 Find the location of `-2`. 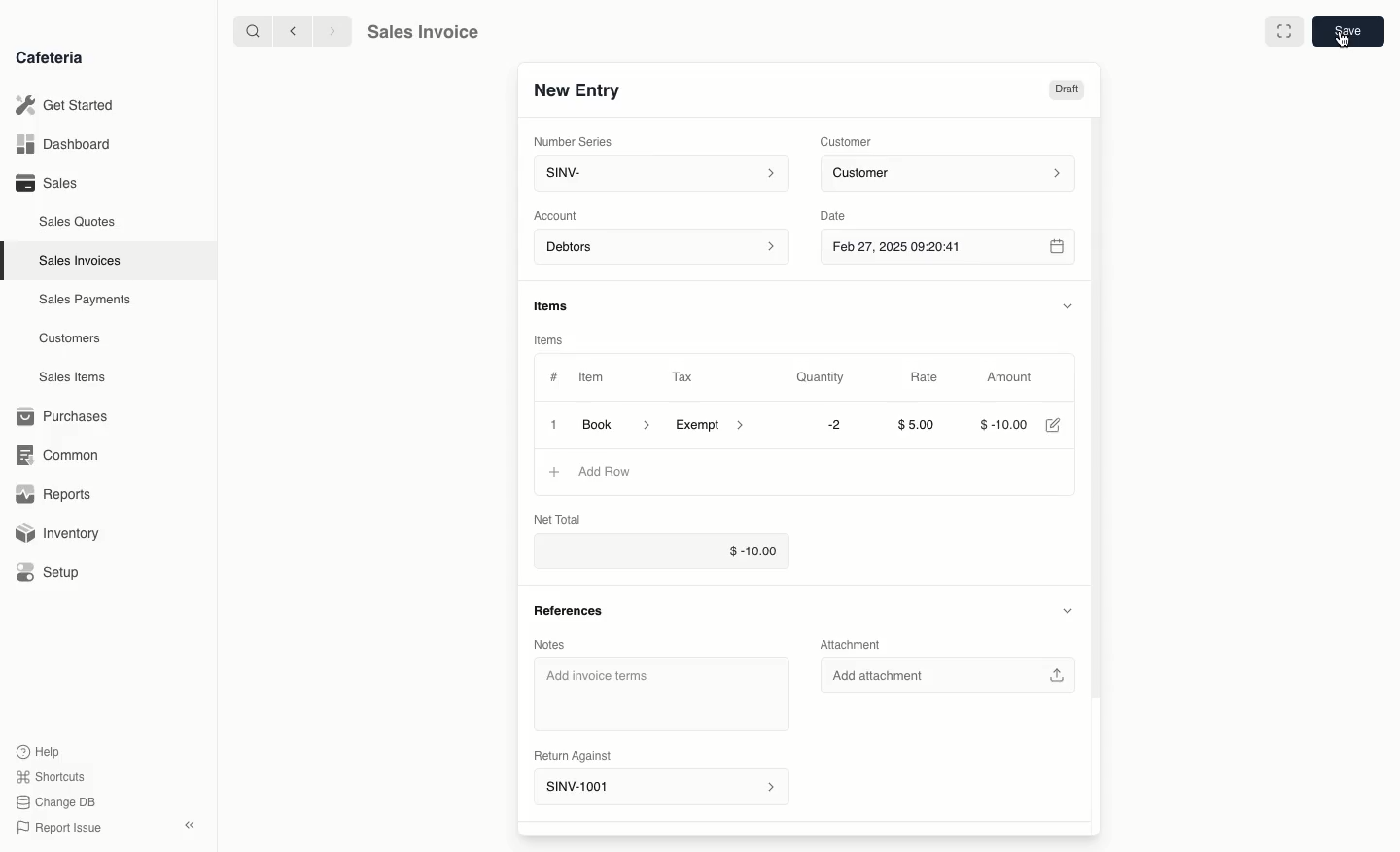

-2 is located at coordinates (833, 425).